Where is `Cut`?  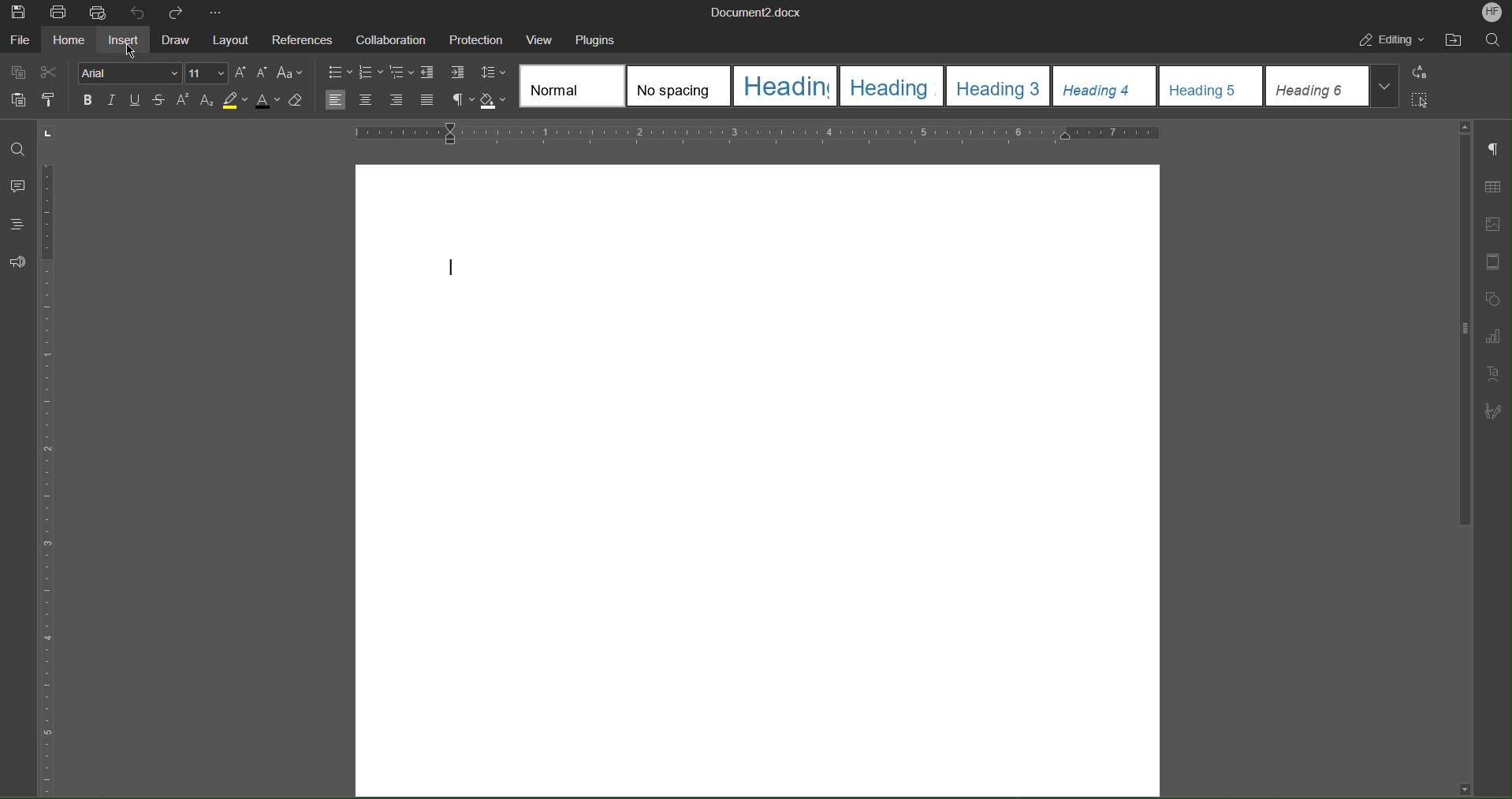
Cut is located at coordinates (50, 69).